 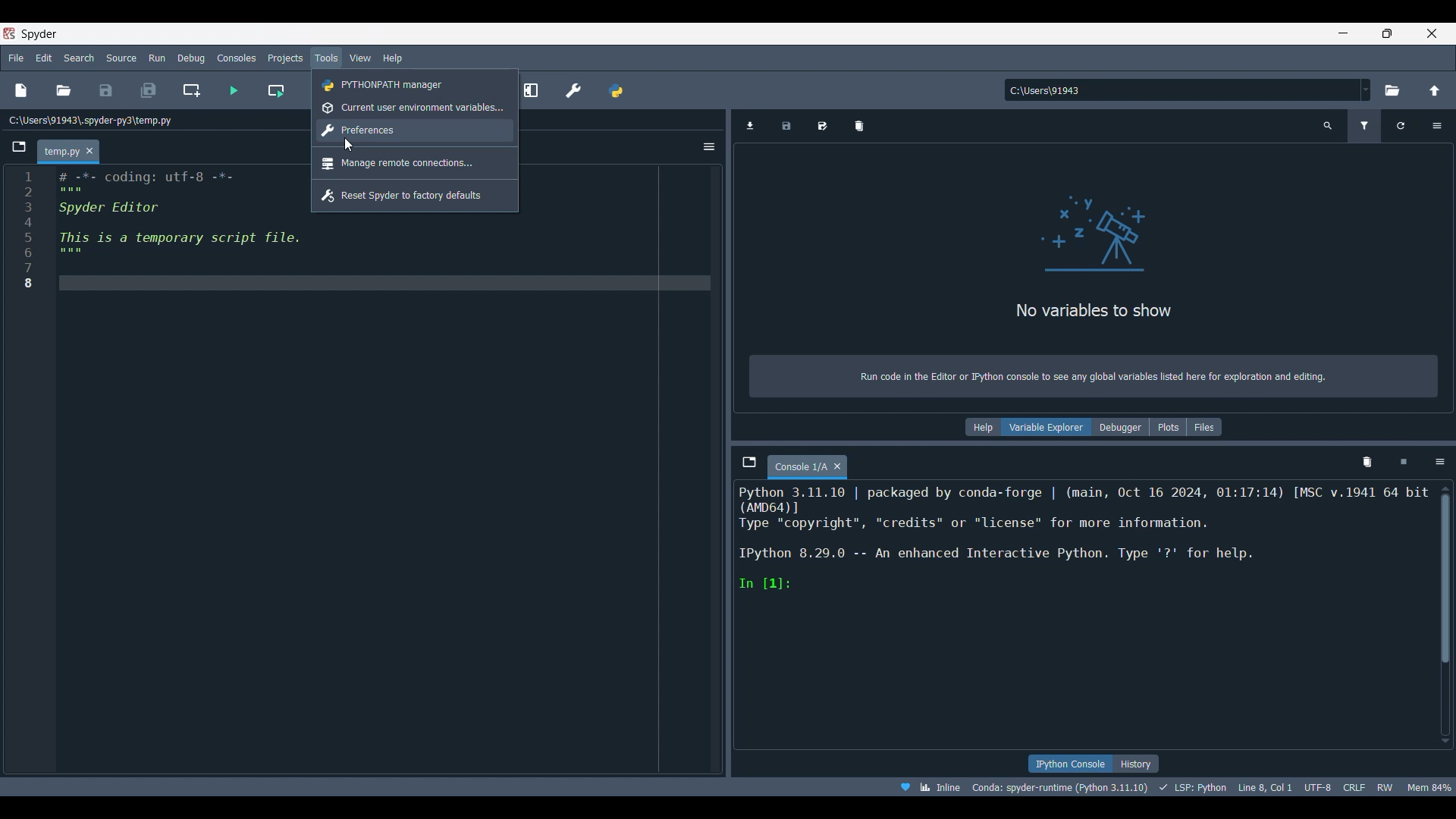 I want to click on Save data as, so click(x=822, y=126).